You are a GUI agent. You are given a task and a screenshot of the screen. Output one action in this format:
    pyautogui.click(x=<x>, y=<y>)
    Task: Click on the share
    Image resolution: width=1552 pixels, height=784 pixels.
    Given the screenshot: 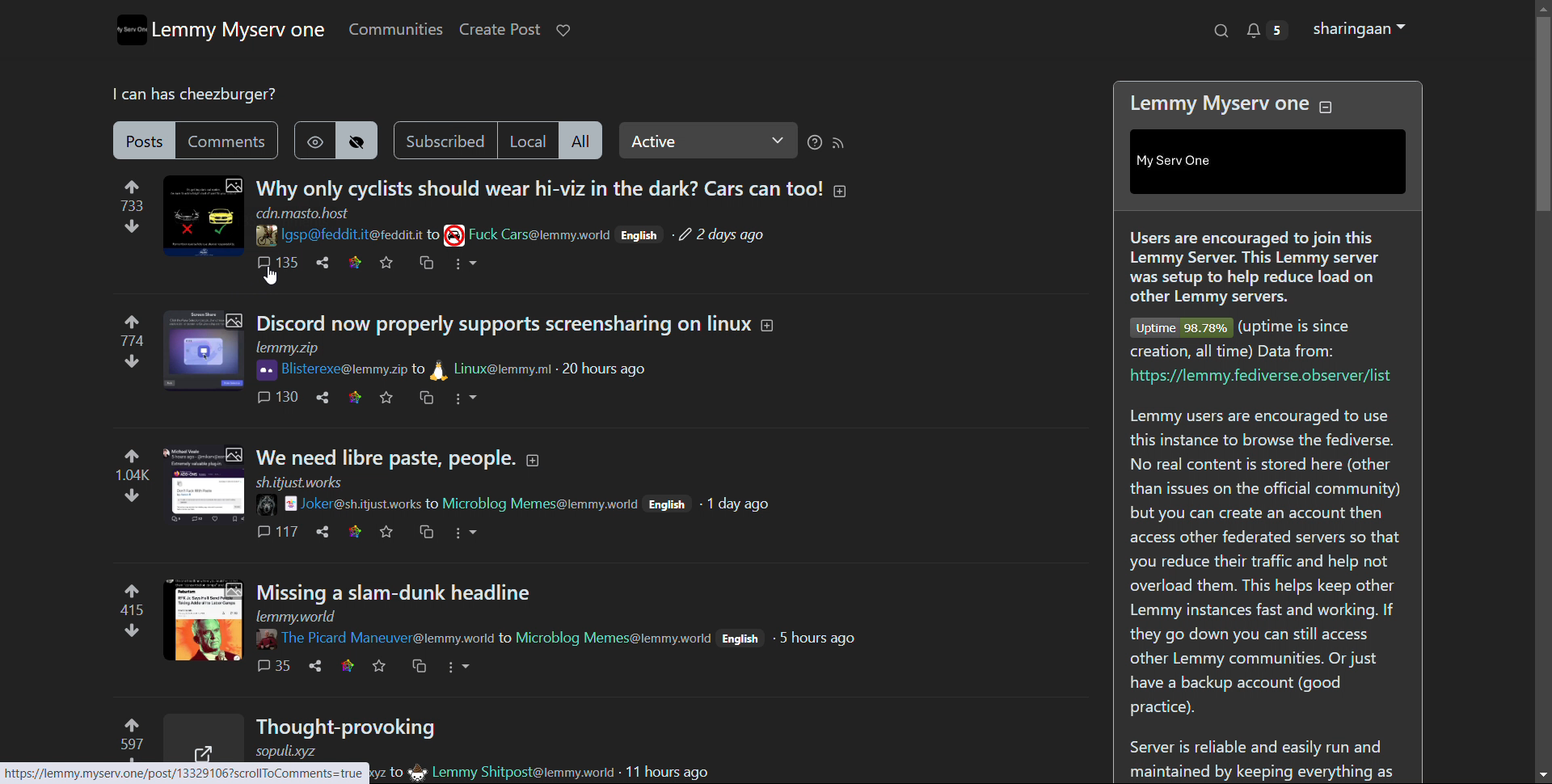 What is the action you would take?
    pyautogui.click(x=322, y=263)
    